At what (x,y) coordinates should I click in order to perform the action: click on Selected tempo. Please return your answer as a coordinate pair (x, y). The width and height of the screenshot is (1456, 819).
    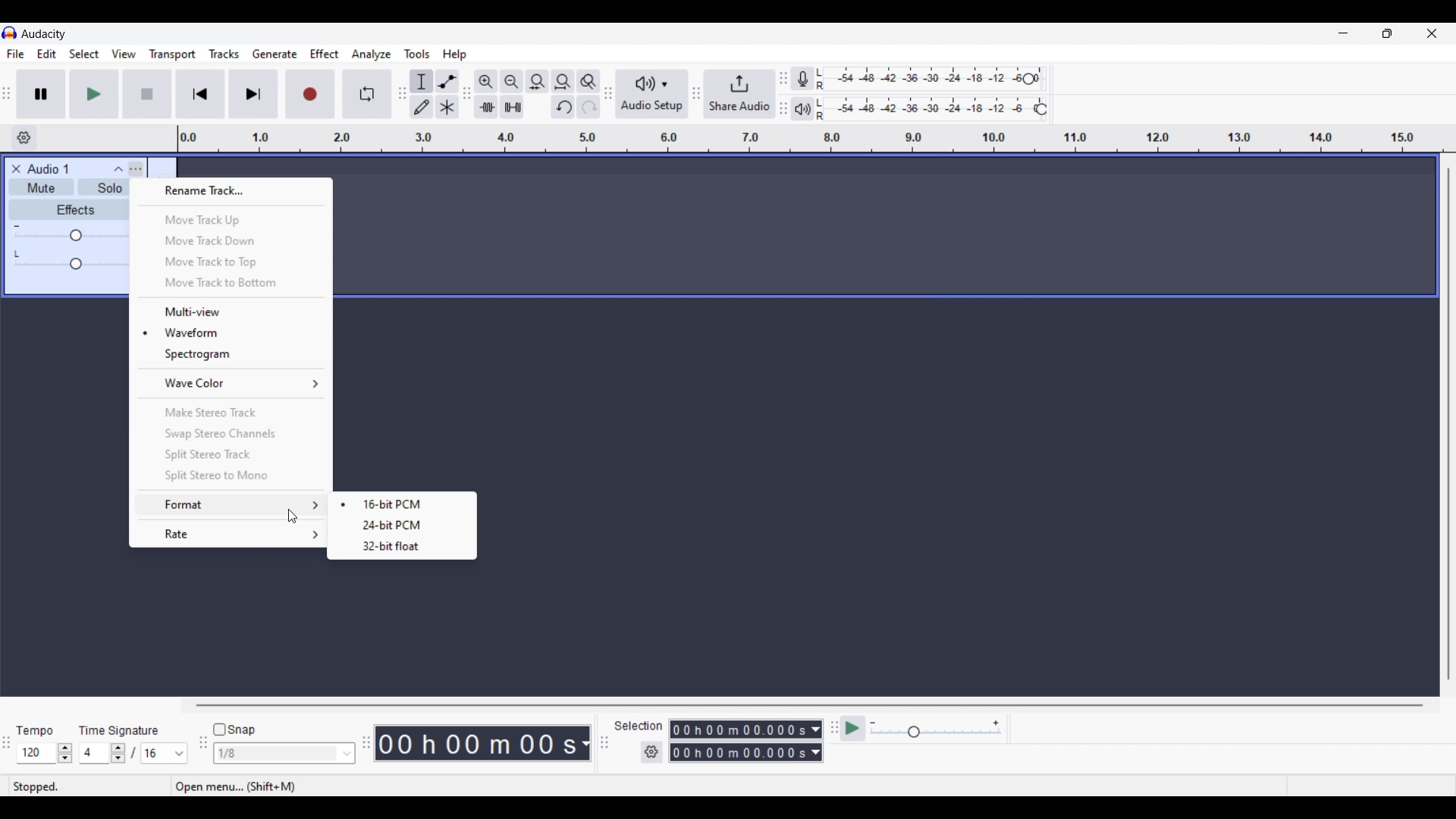
    Looking at the image, I should click on (36, 753).